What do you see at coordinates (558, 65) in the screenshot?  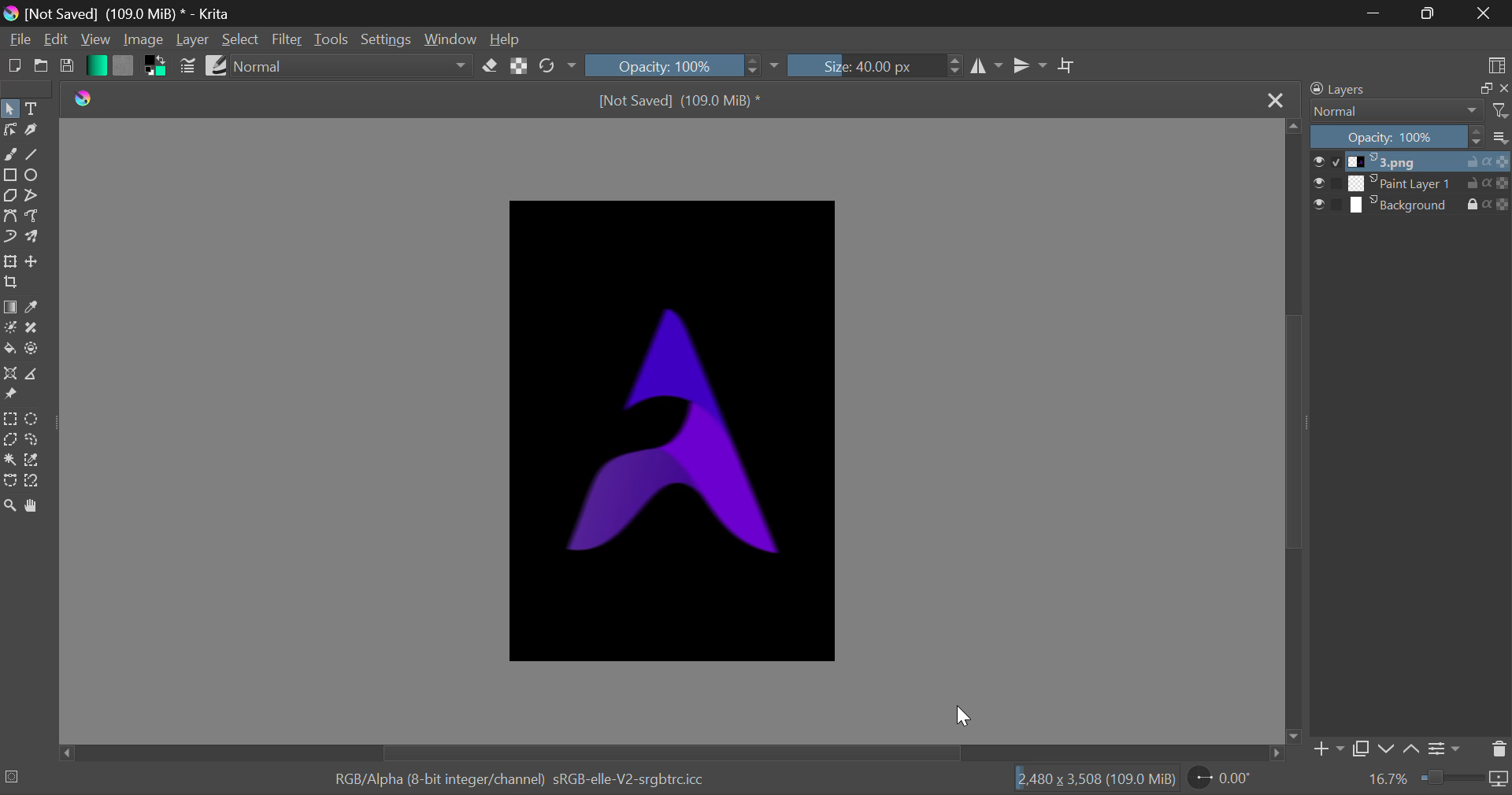 I see `Rotate` at bounding box center [558, 65].